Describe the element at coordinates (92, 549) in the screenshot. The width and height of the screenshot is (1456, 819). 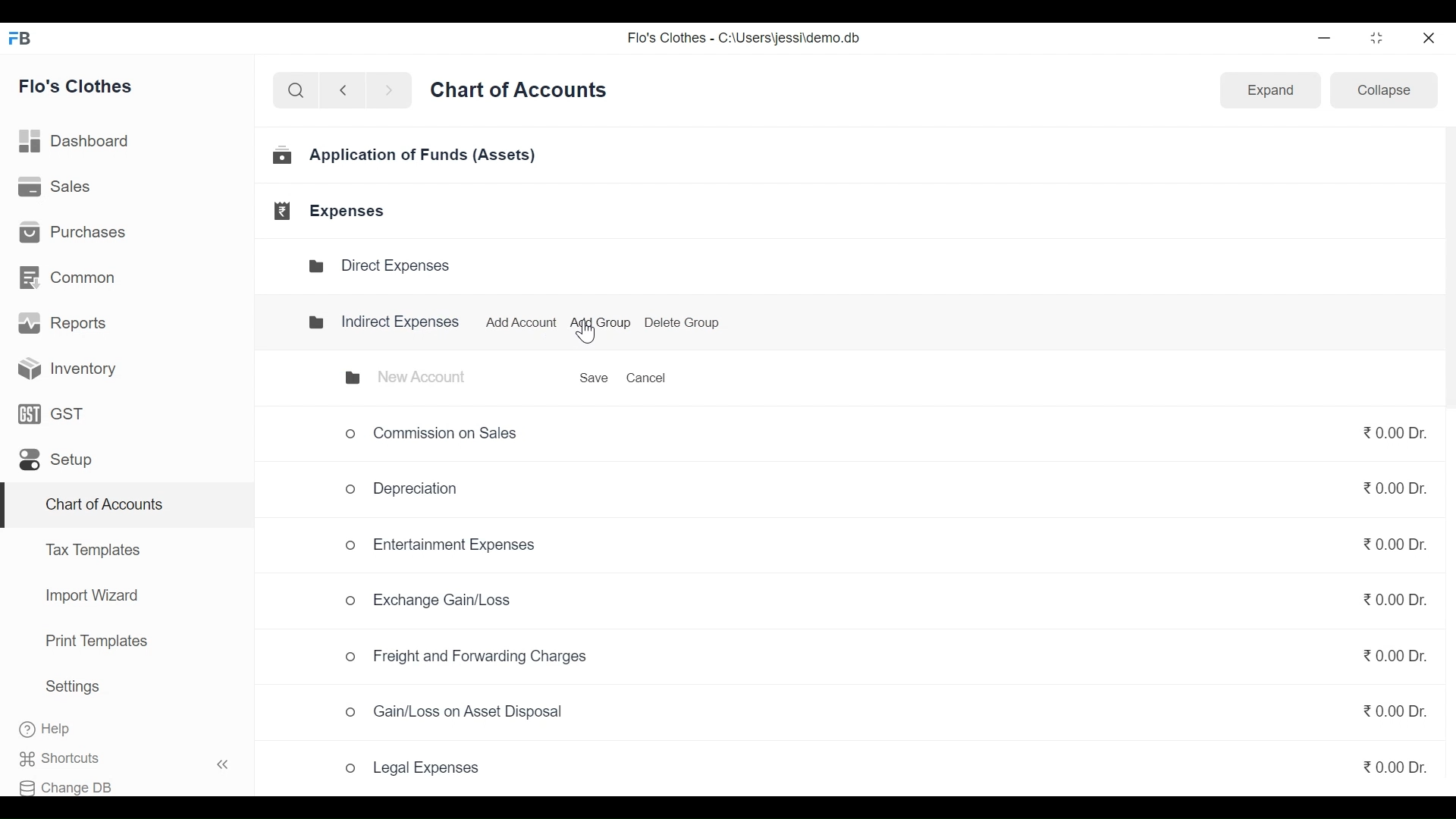
I see `Tax Templates` at that location.